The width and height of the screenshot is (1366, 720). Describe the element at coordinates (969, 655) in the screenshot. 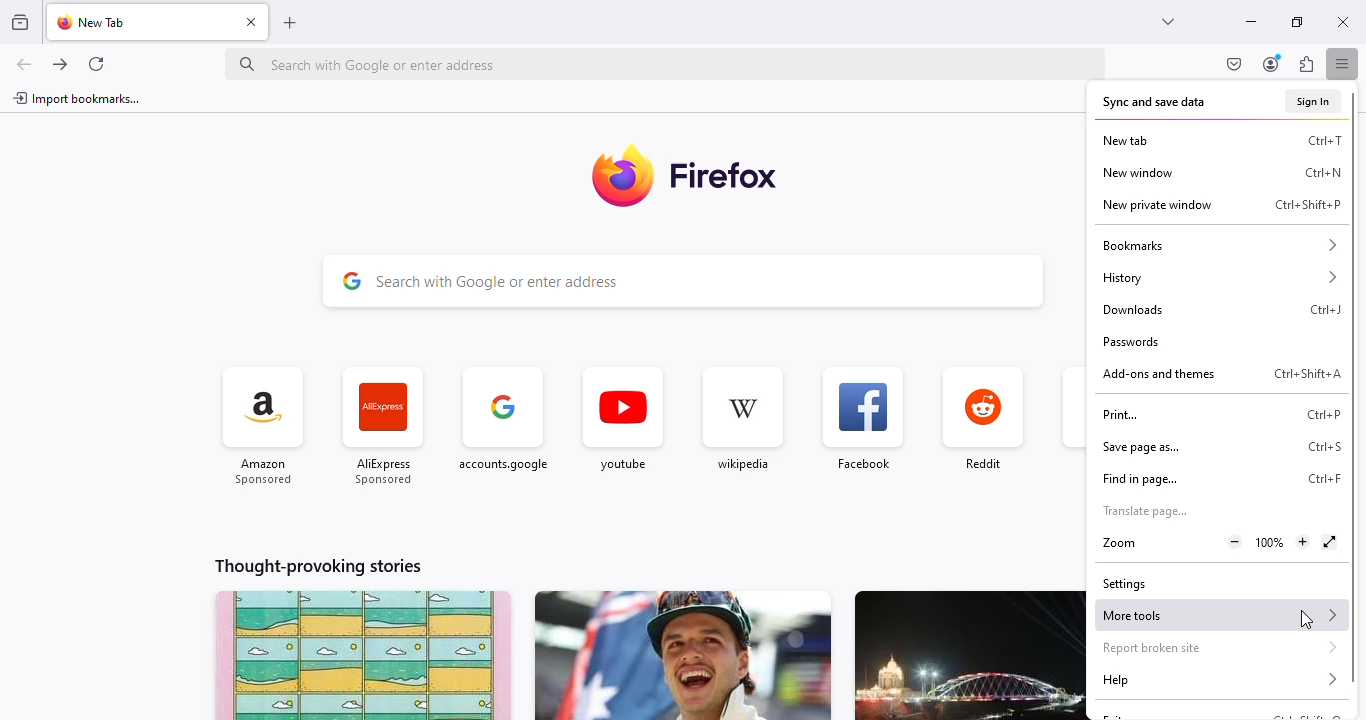

I see `story` at that location.